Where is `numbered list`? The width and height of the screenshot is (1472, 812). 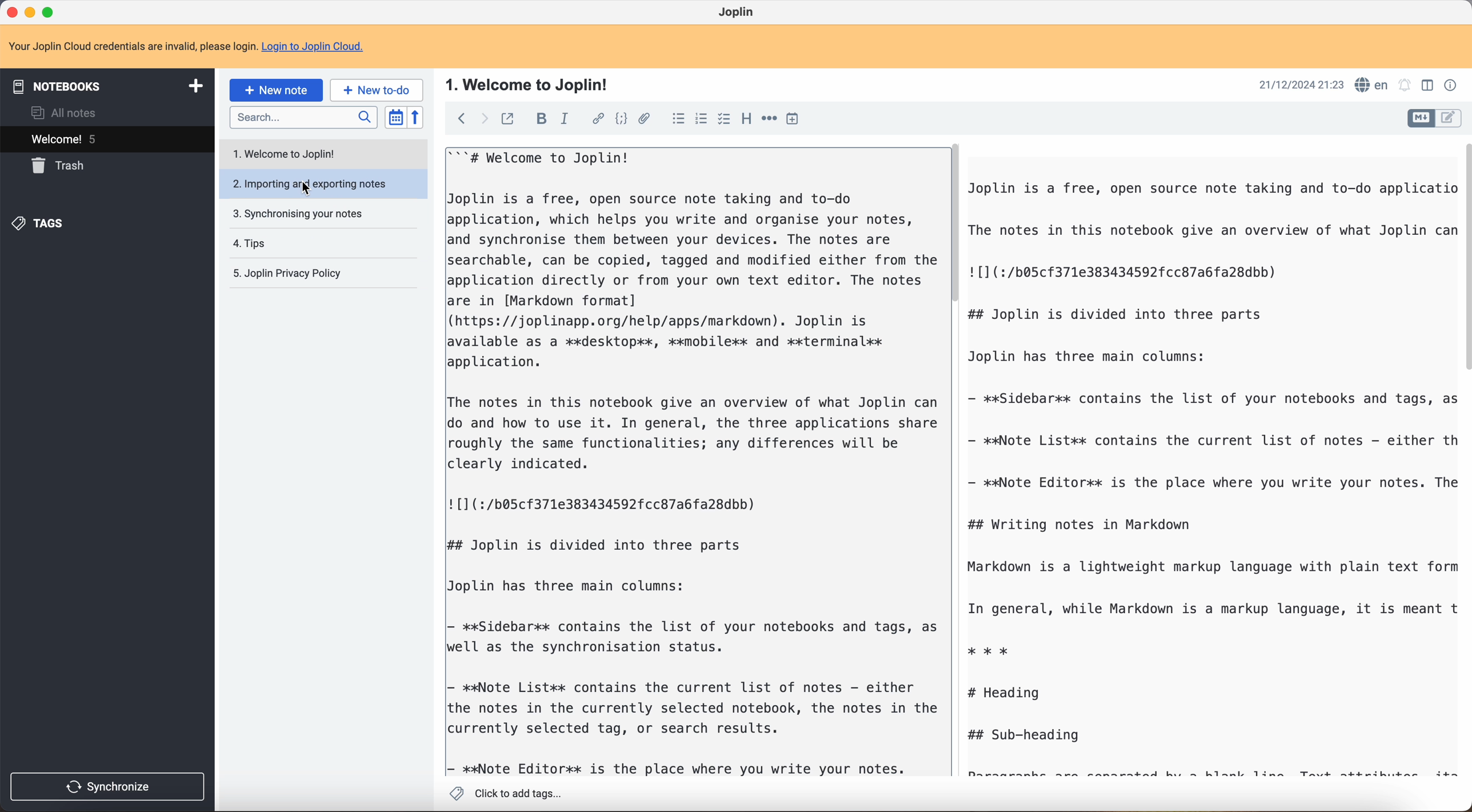
numbered list is located at coordinates (700, 121).